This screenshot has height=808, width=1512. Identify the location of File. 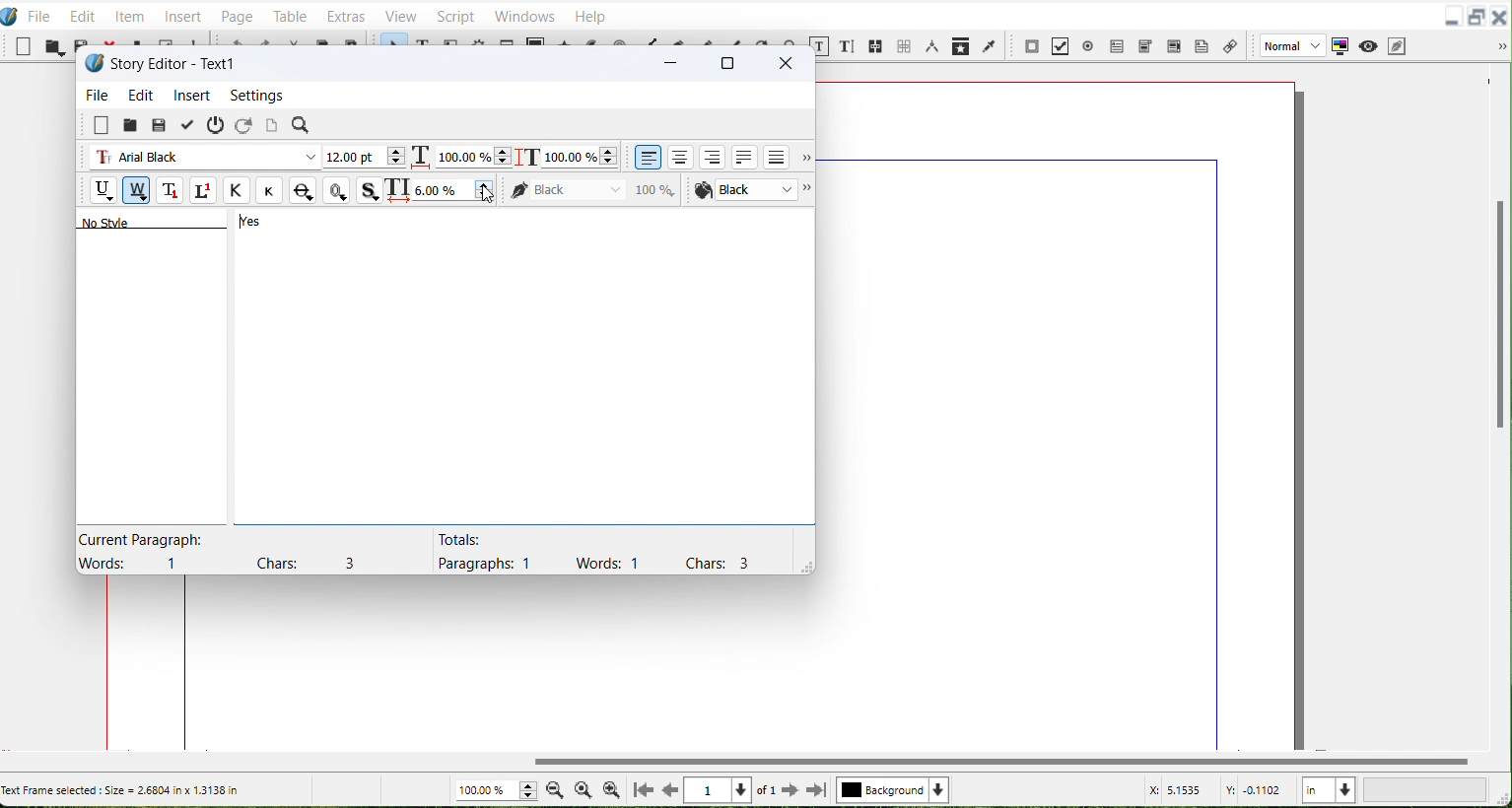
(98, 97).